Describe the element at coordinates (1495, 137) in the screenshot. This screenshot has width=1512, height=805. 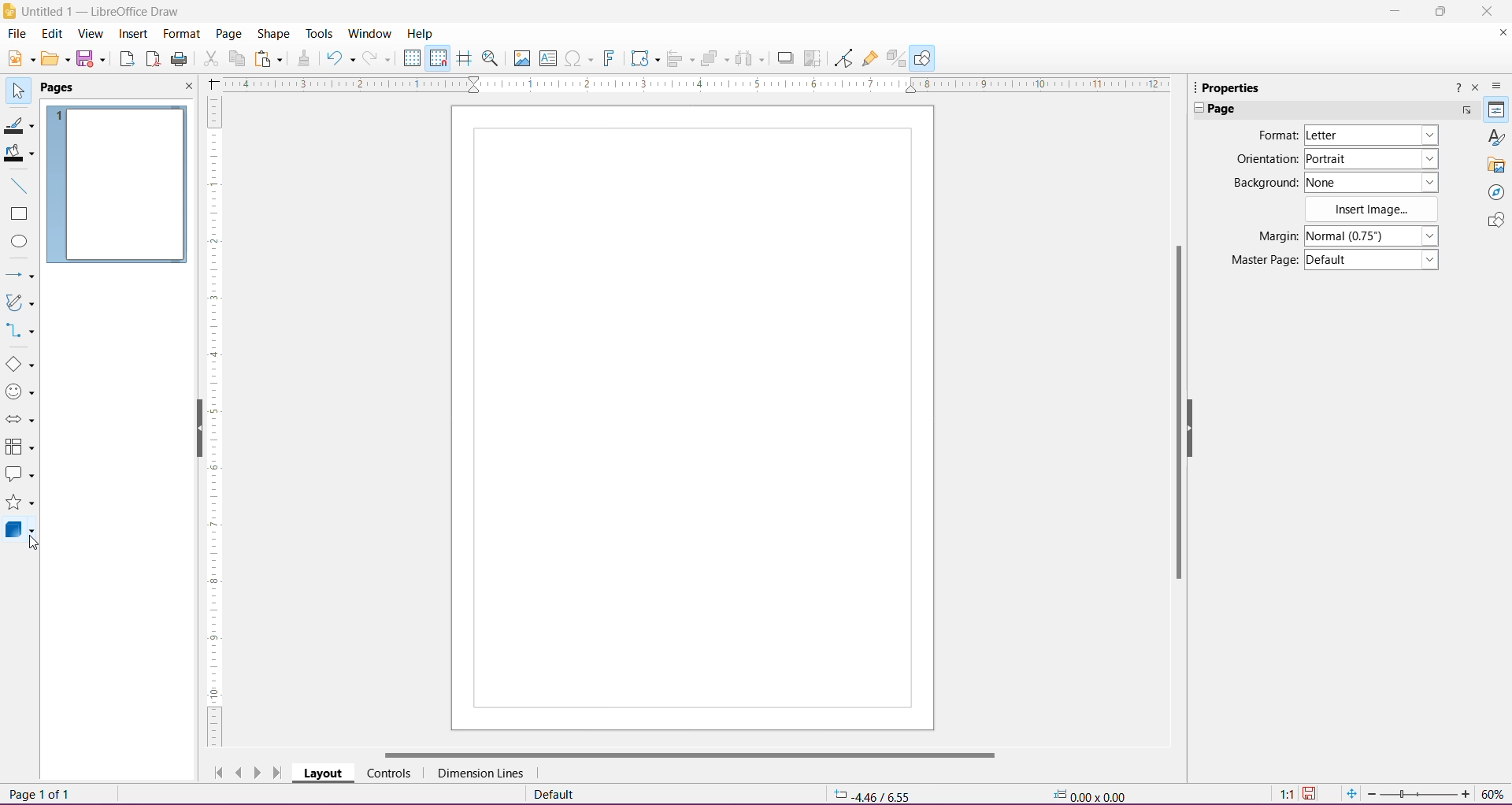
I see `Styles` at that location.